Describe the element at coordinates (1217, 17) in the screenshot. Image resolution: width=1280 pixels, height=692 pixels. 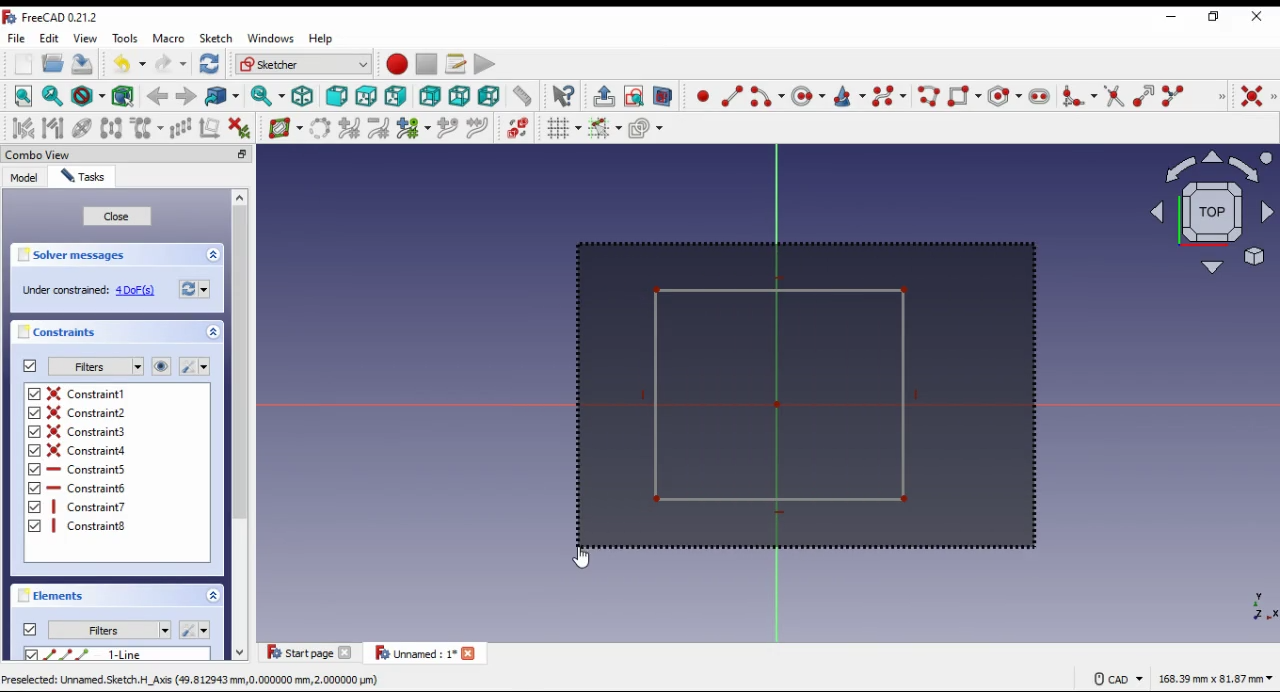
I see `restore` at that location.